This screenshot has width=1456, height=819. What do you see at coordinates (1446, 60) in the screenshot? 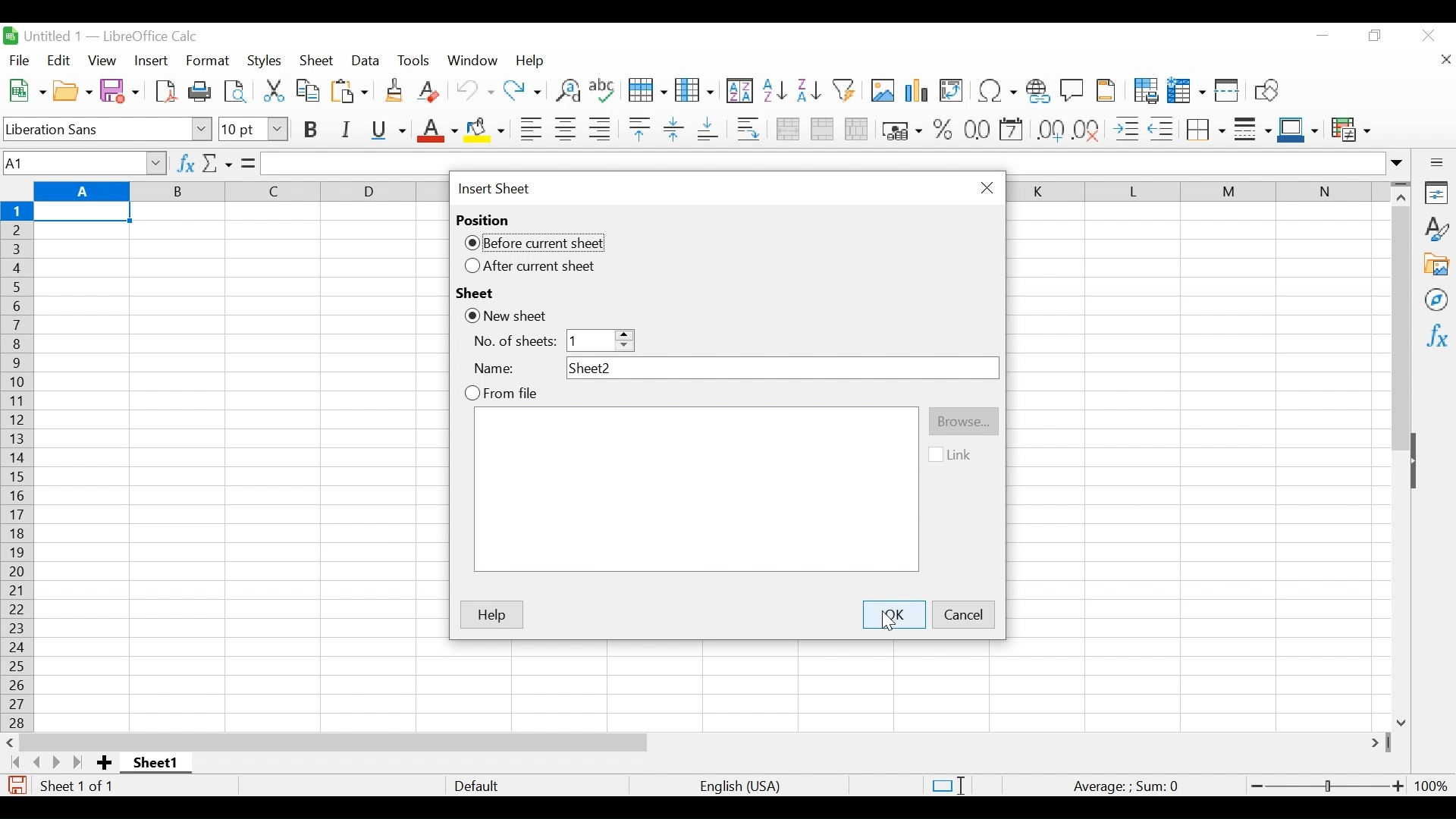
I see `Close document` at bounding box center [1446, 60].